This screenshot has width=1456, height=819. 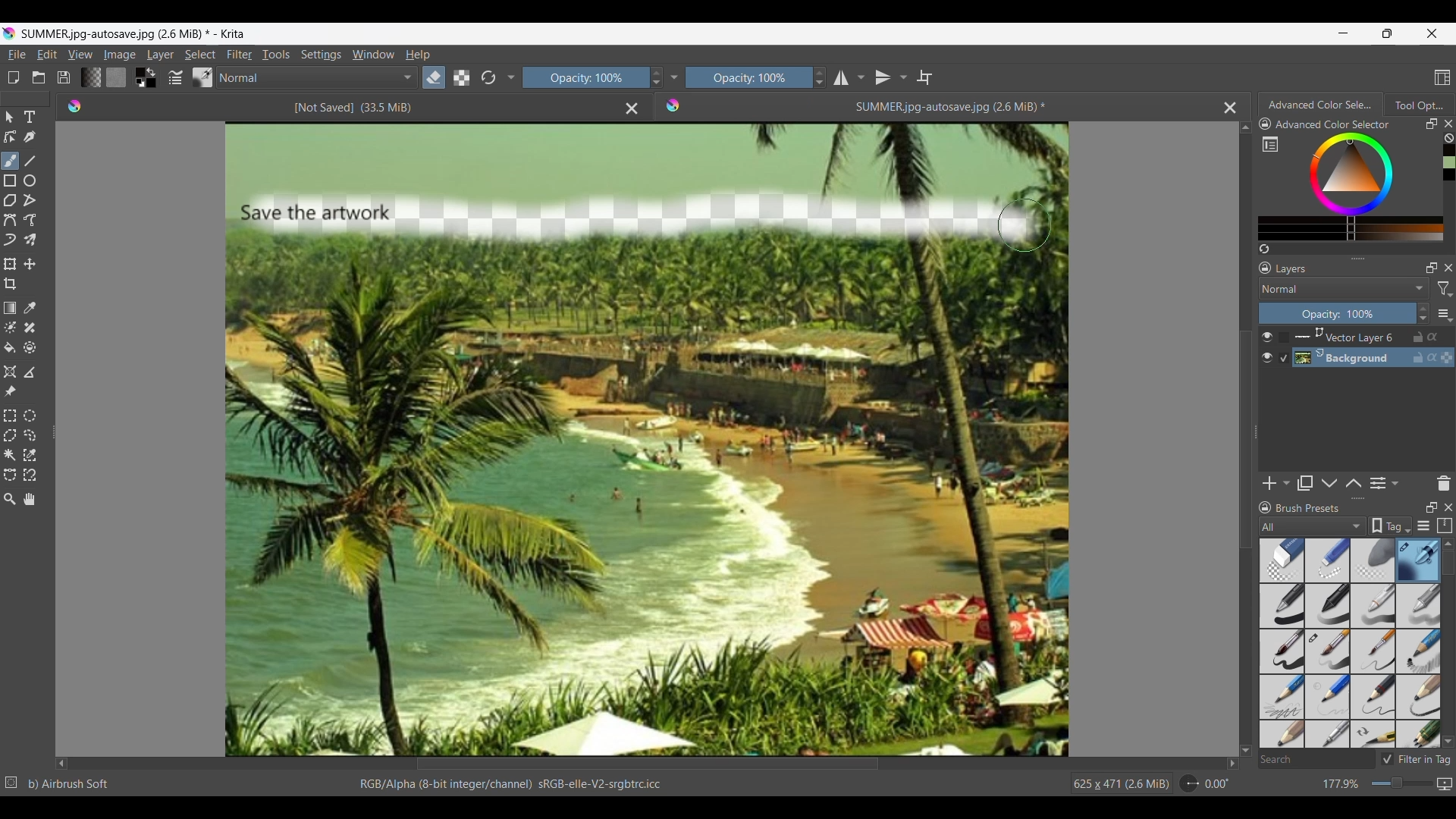 What do you see at coordinates (11, 136) in the screenshot?
I see `Edit shapes tool` at bounding box center [11, 136].